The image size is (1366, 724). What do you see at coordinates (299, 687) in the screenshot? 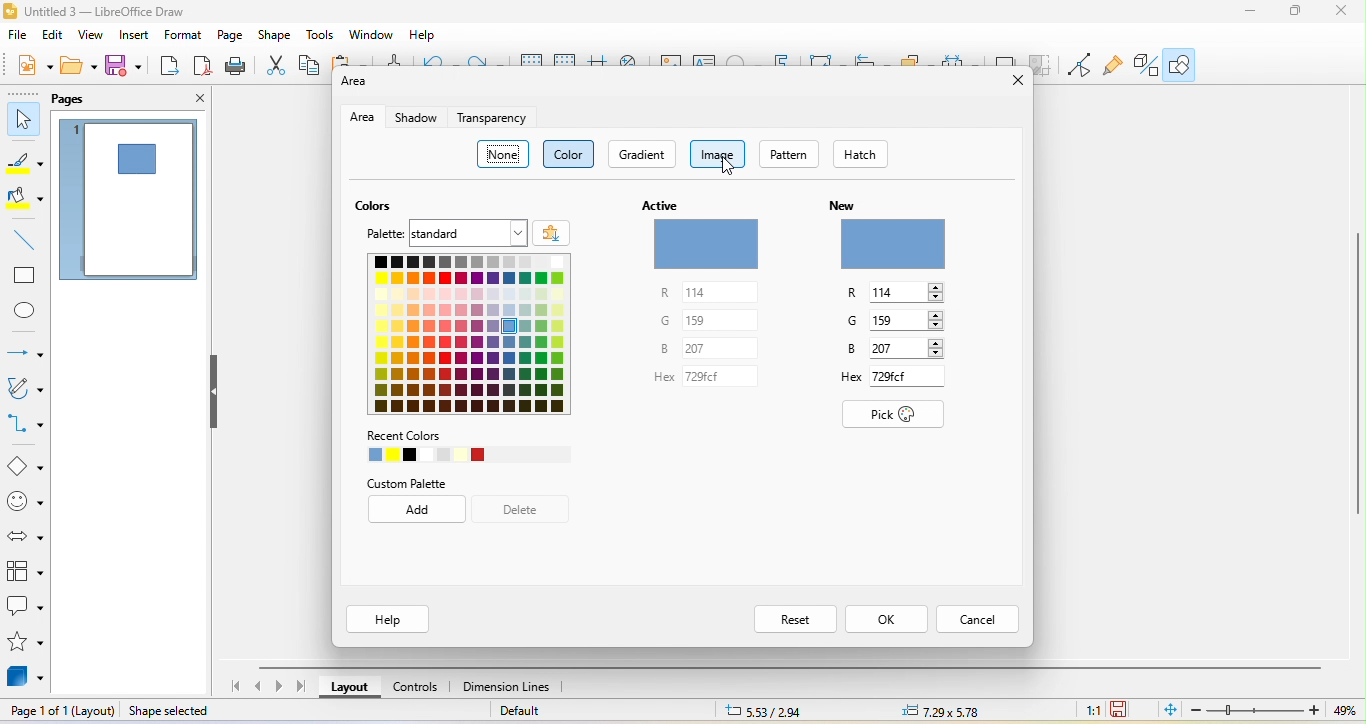
I see `last page` at bounding box center [299, 687].